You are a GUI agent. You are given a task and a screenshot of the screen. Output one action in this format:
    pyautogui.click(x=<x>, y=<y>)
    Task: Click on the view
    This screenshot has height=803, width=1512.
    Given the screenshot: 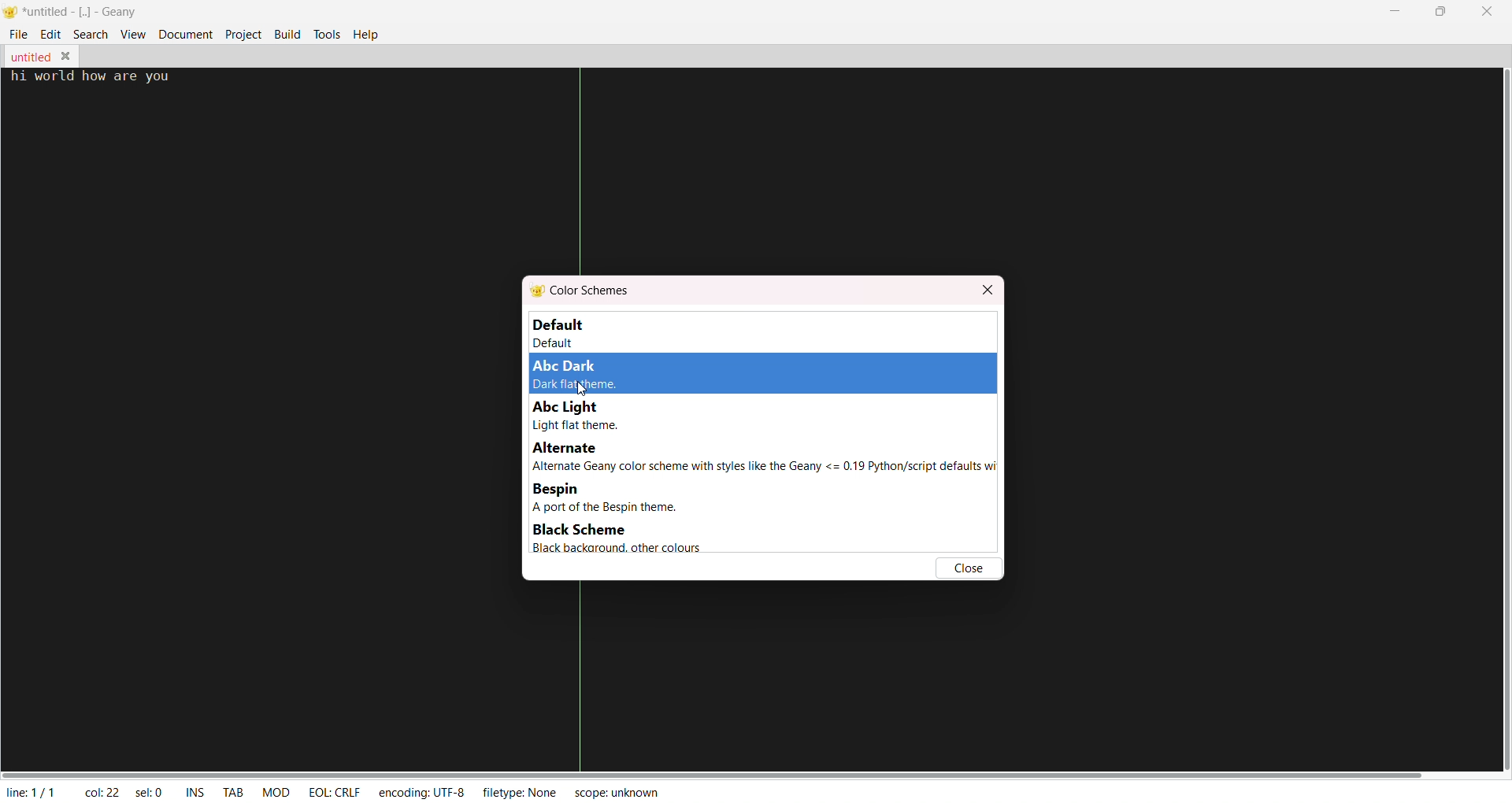 What is the action you would take?
    pyautogui.click(x=133, y=33)
    